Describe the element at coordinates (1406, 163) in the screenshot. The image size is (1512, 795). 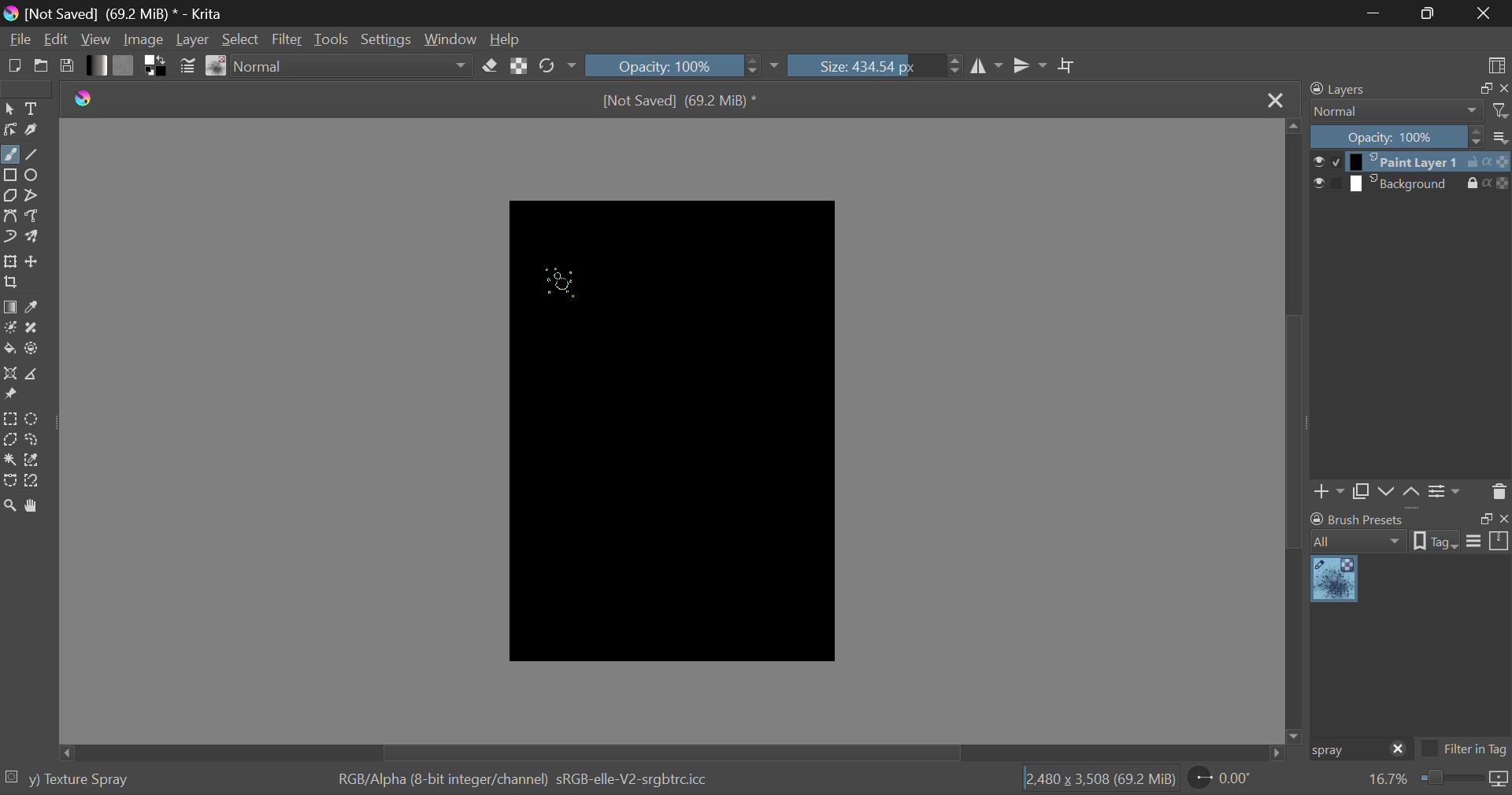
I see `layer 1` at that location.